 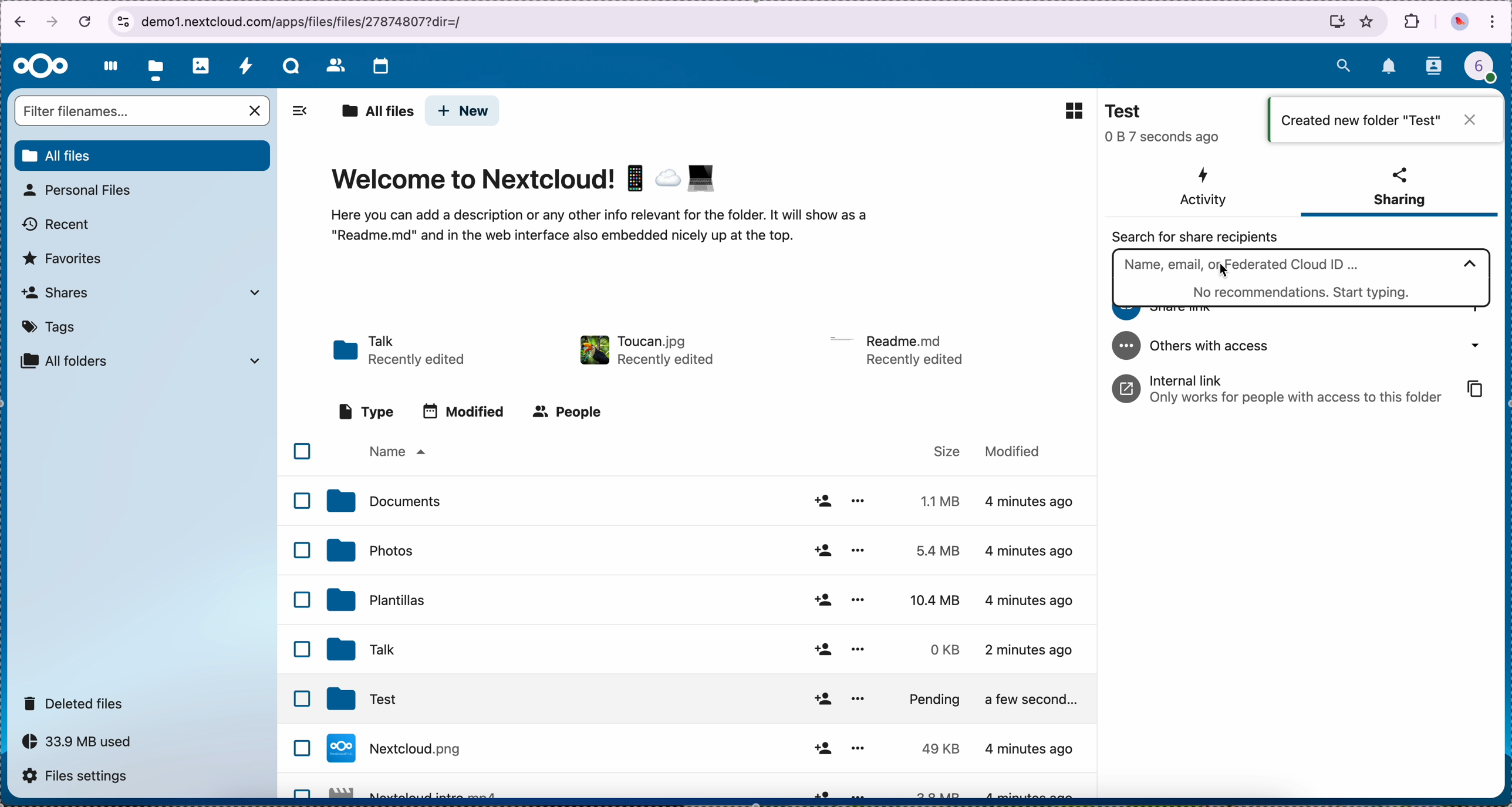 What do you see at coordinates (58, 225) in the screenshot?
I see `recent` at bounding box center [58, 225].